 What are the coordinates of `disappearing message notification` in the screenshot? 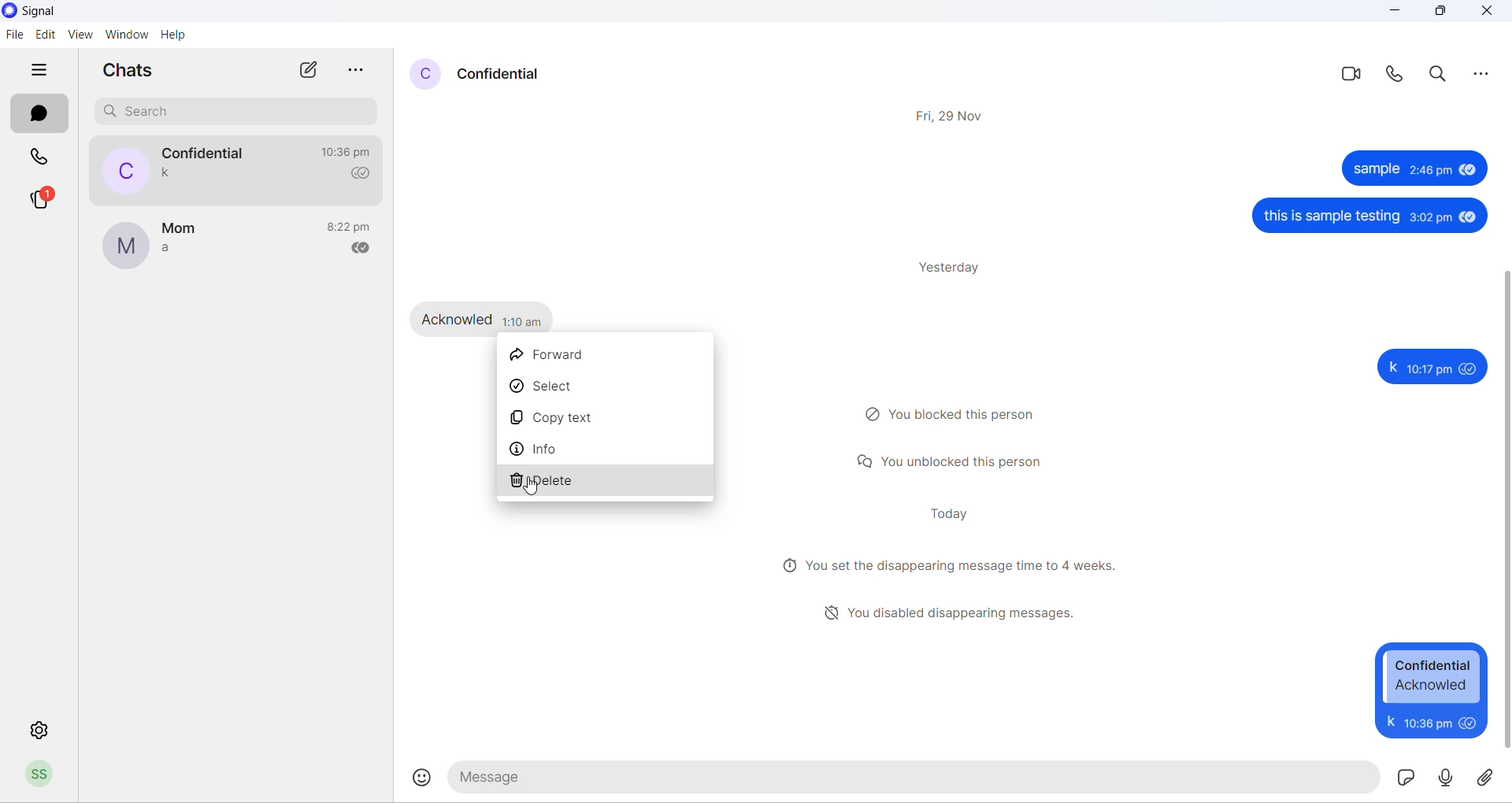 It's located at (954, 612).